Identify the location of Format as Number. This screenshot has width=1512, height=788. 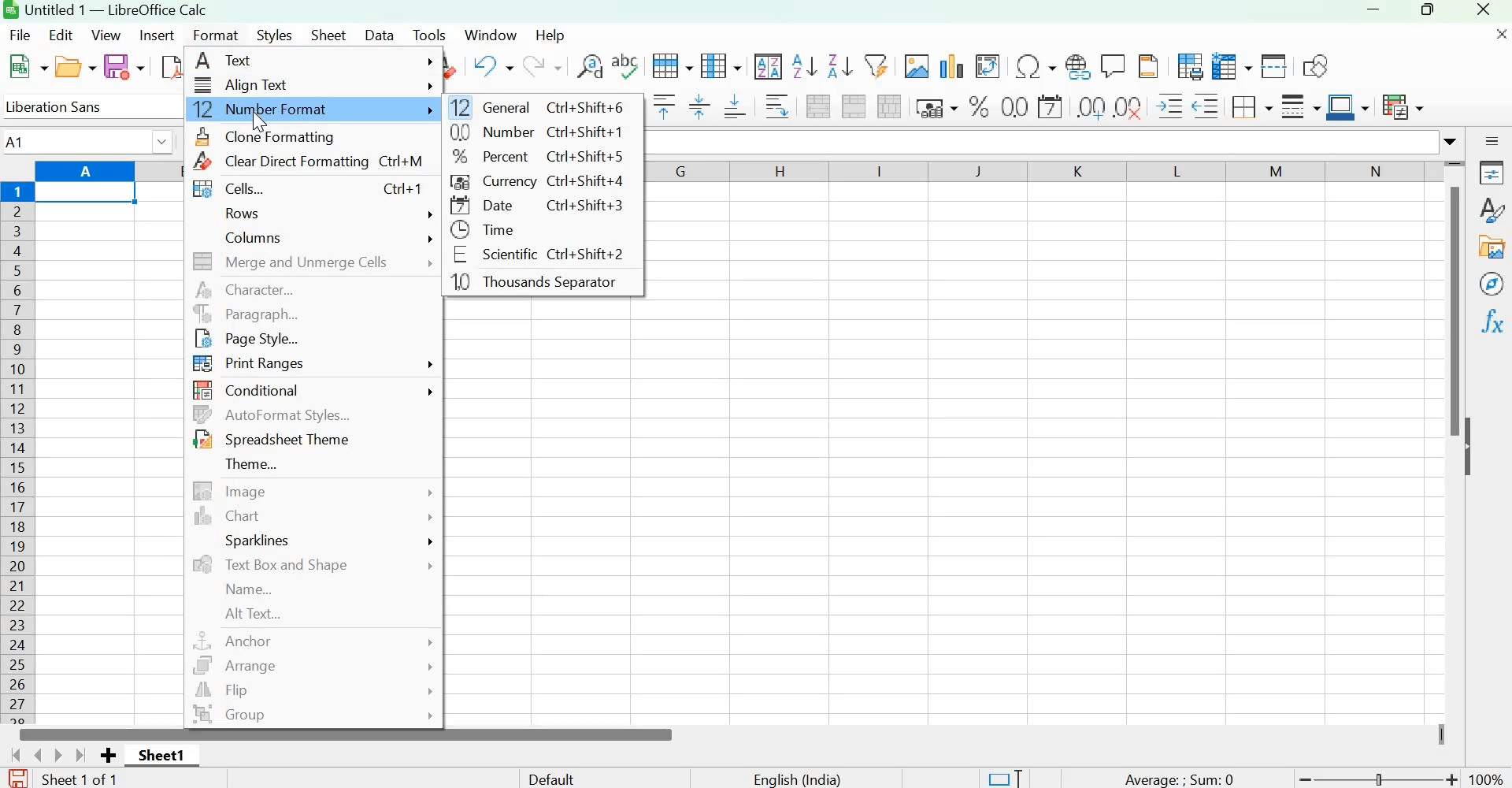
(1015, 107).